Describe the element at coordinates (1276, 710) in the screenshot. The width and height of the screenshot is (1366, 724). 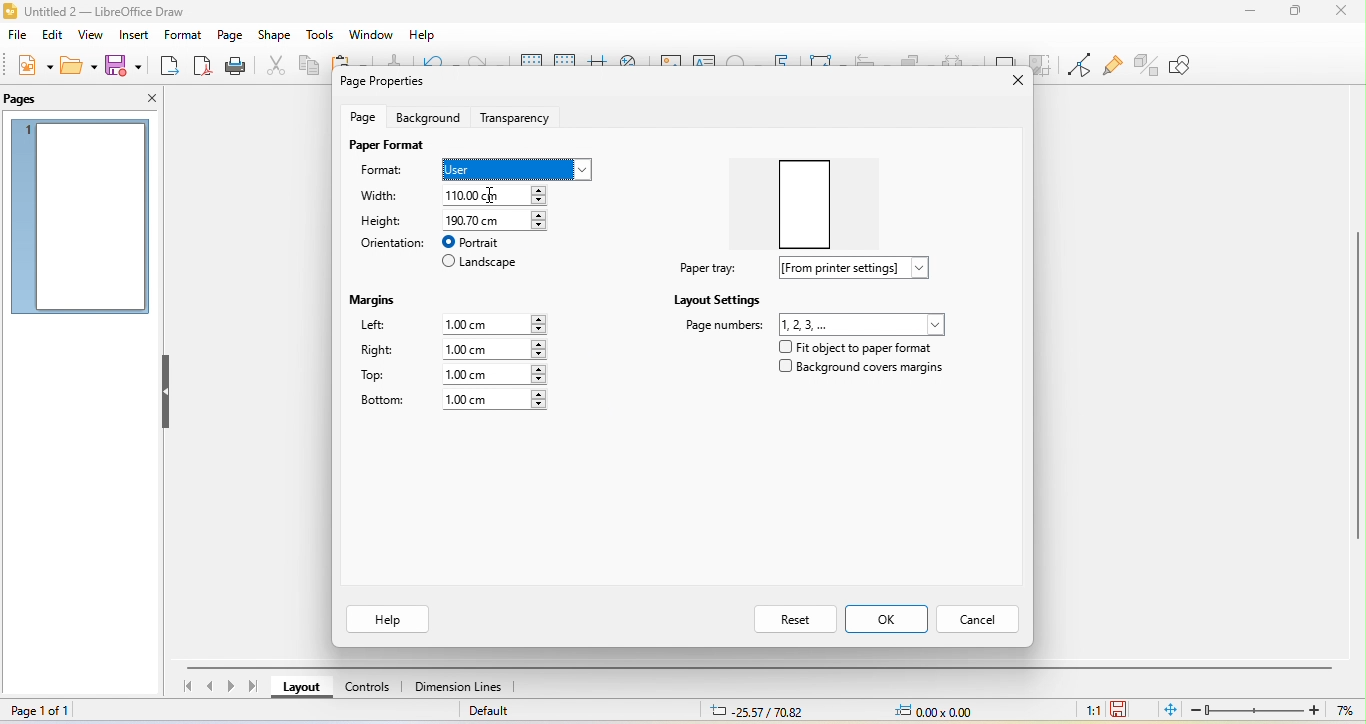
I see `zoom` at that location.